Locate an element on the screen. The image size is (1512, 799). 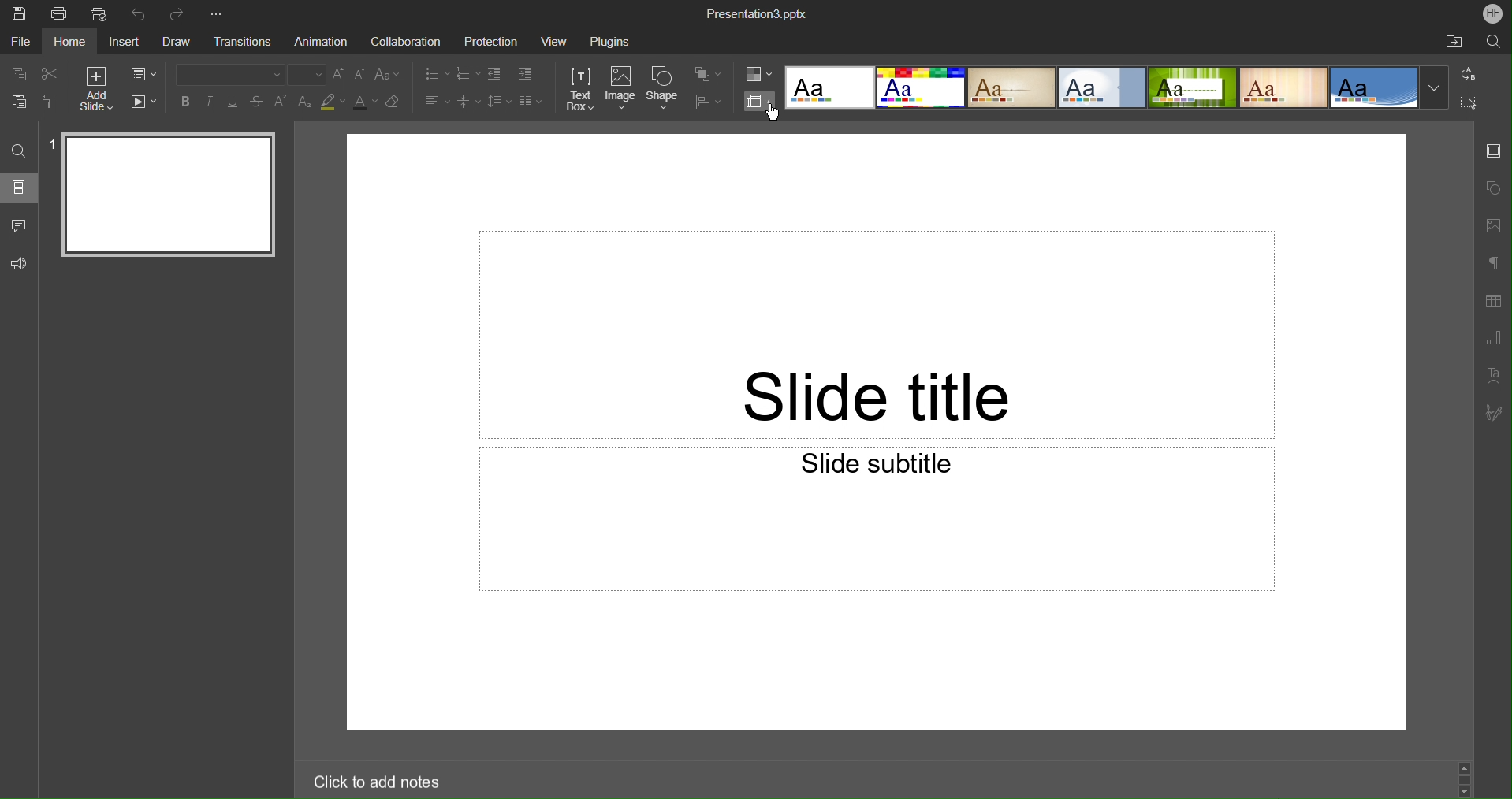
Cursor is located at coordinates (776, 117).